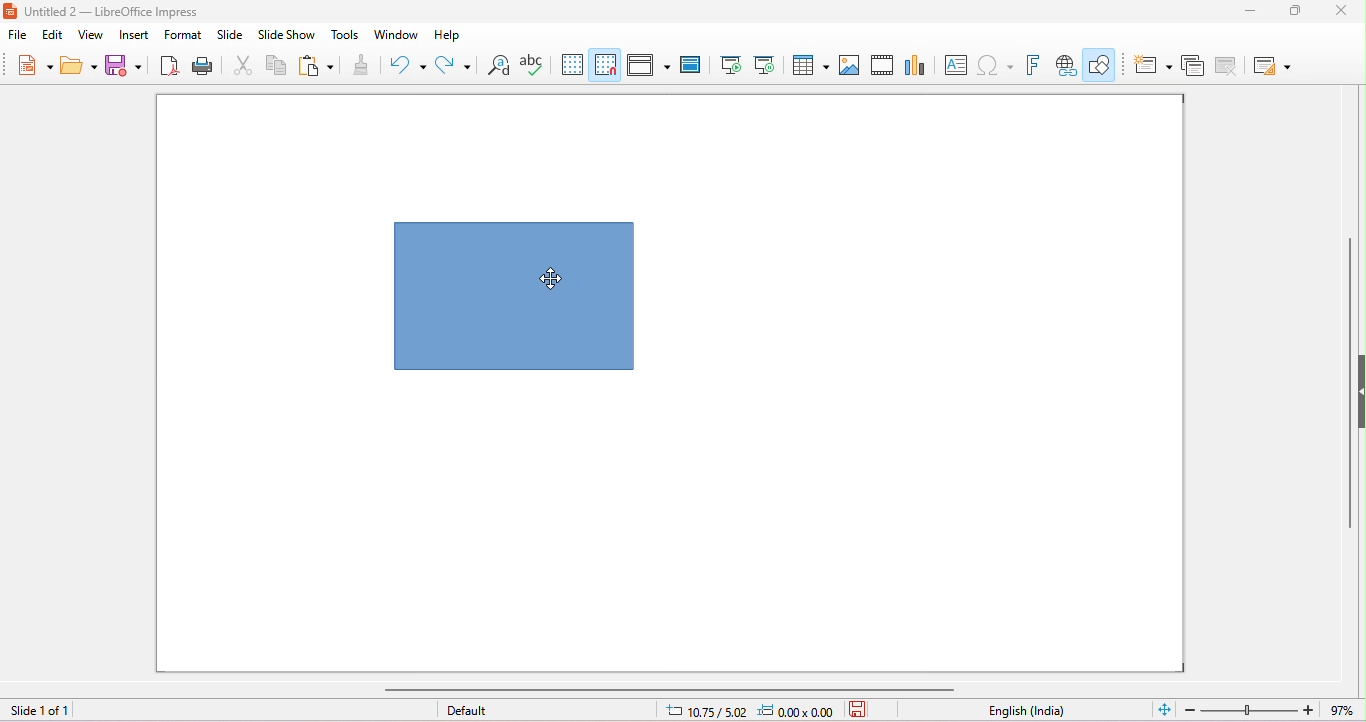  What do you see at coordinates (552, 281) in the screenshot?
I see `cursor` at bounding box center [552, 281].